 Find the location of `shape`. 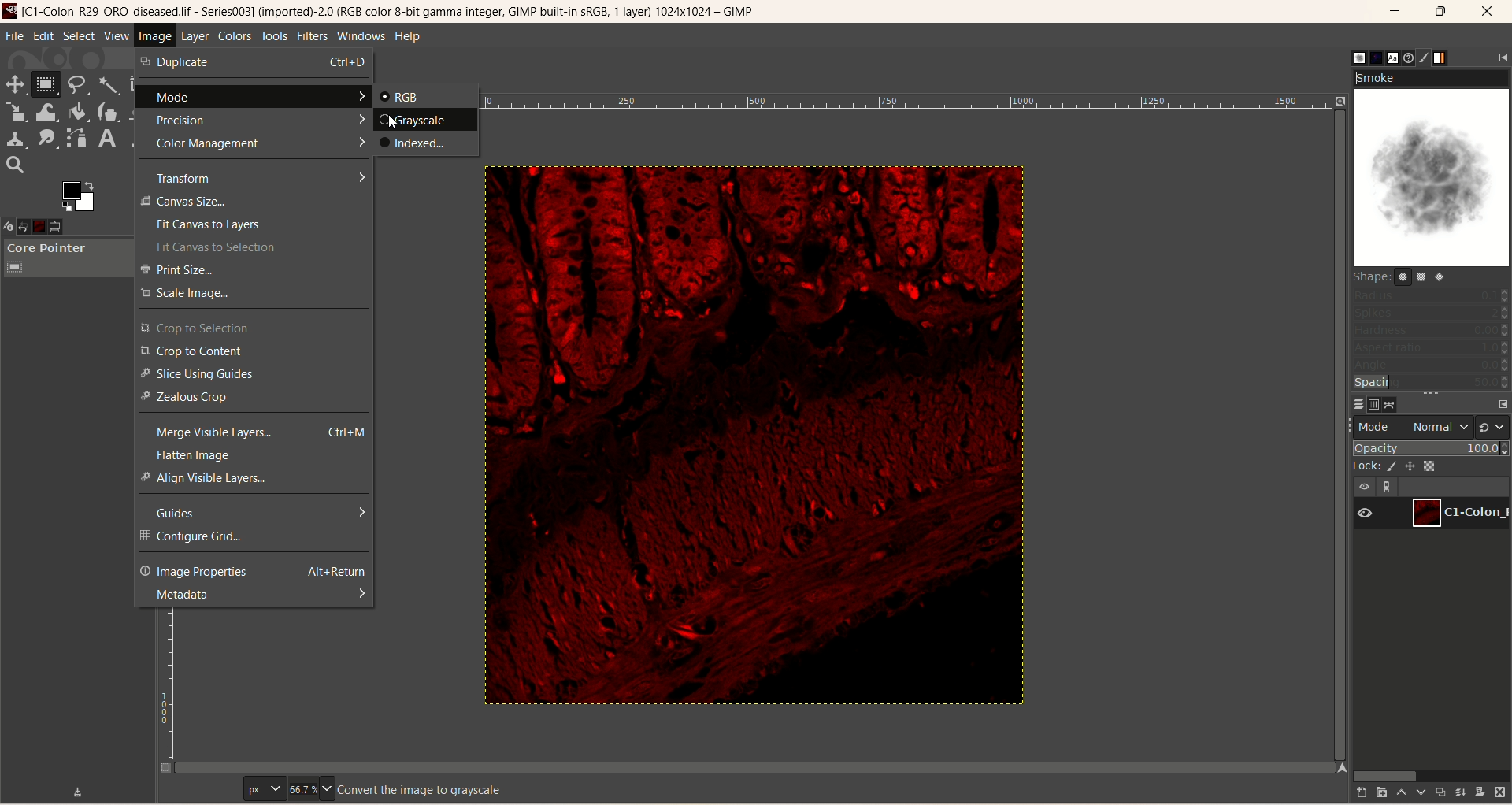

shape is located at coordinates (1403, 276).